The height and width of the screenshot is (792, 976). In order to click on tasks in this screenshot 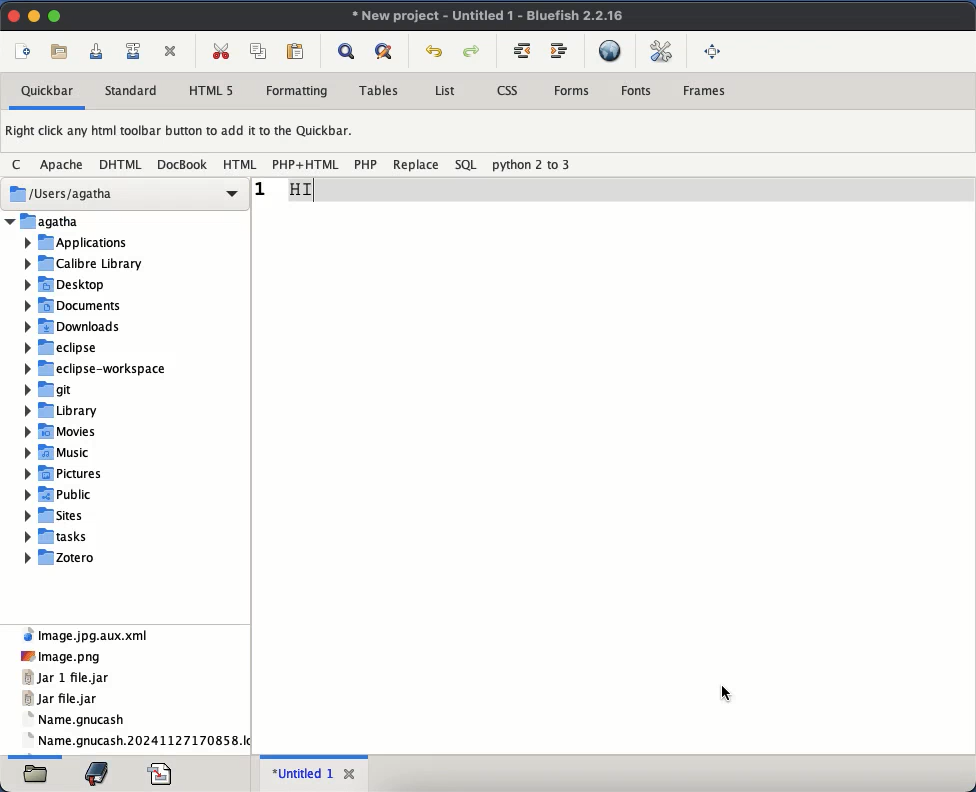, I will do `click(54, 536)`.